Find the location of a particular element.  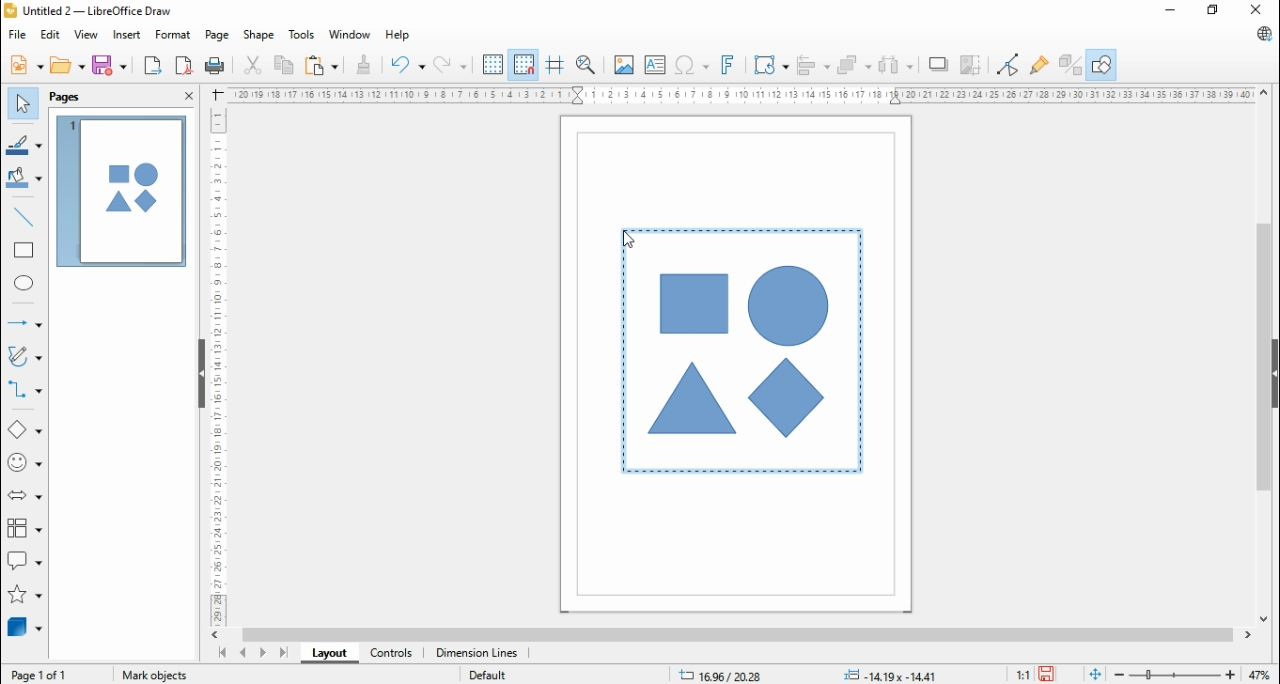

symbol shapes is located at coordinates (27, 462).